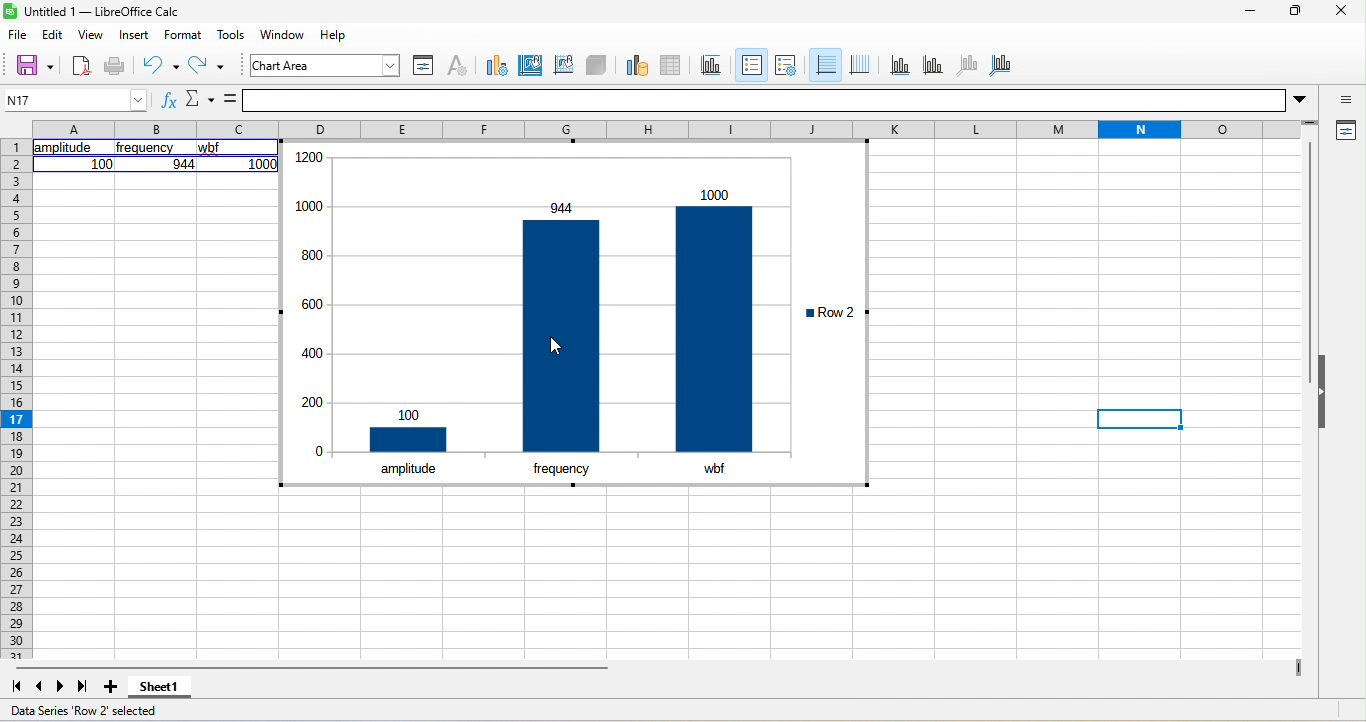 This screenshot has height=722, width=1366. I want to click on sheet 1, so click(160, 691).